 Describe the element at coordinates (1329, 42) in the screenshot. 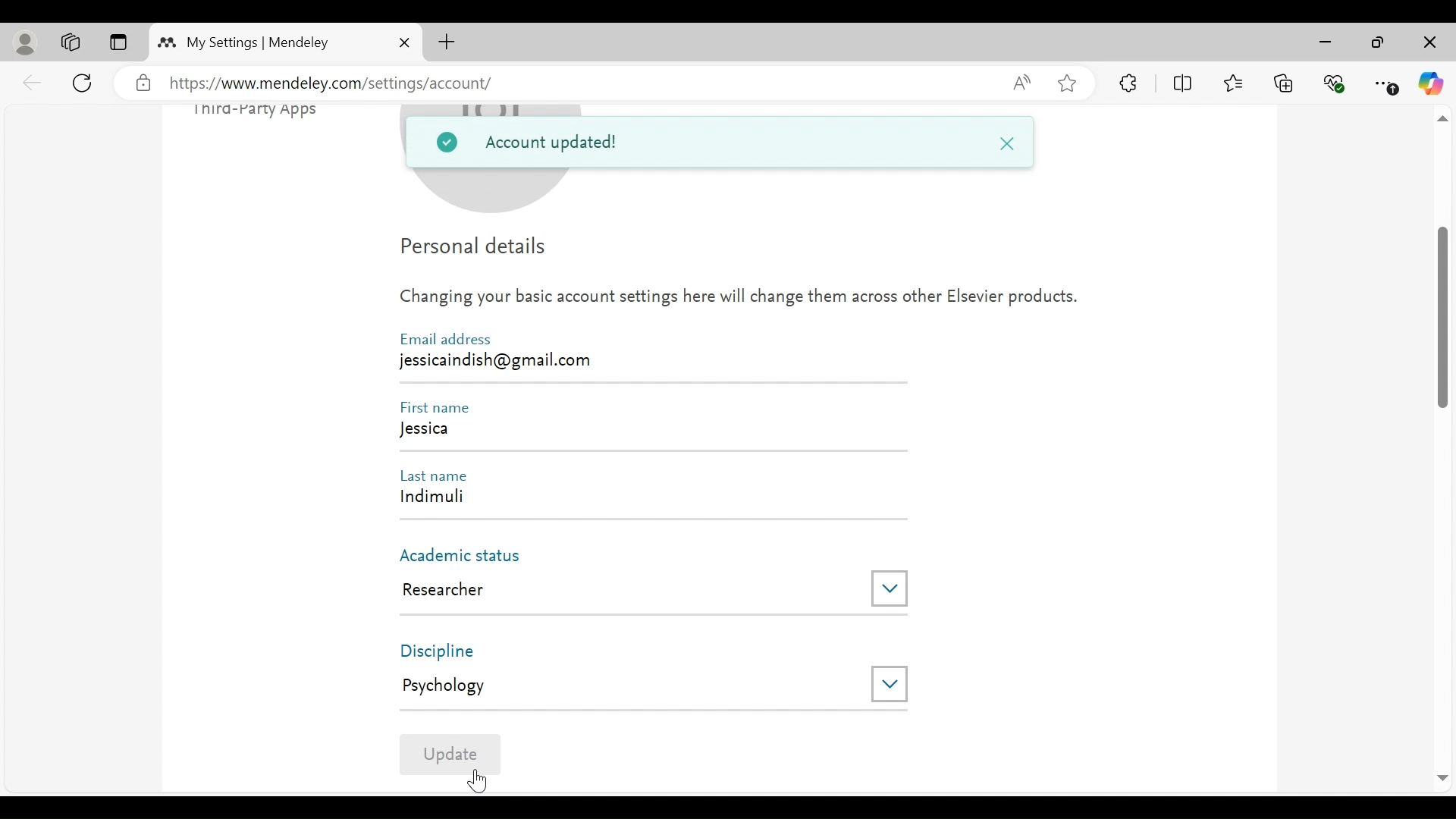

I see `minimize` at that location.